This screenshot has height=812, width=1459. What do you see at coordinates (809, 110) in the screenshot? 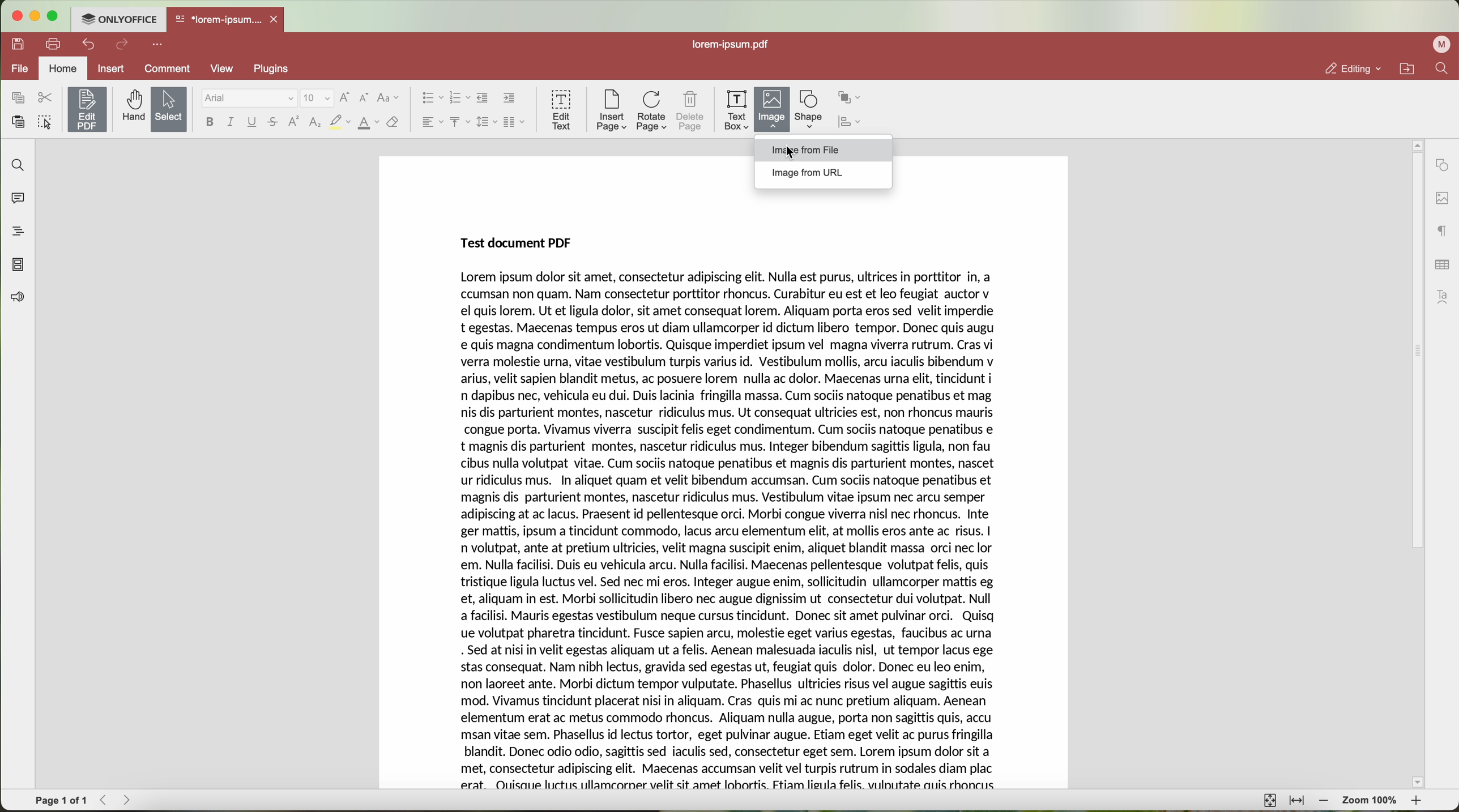
I see `shape` at bounding box center [809, 110].